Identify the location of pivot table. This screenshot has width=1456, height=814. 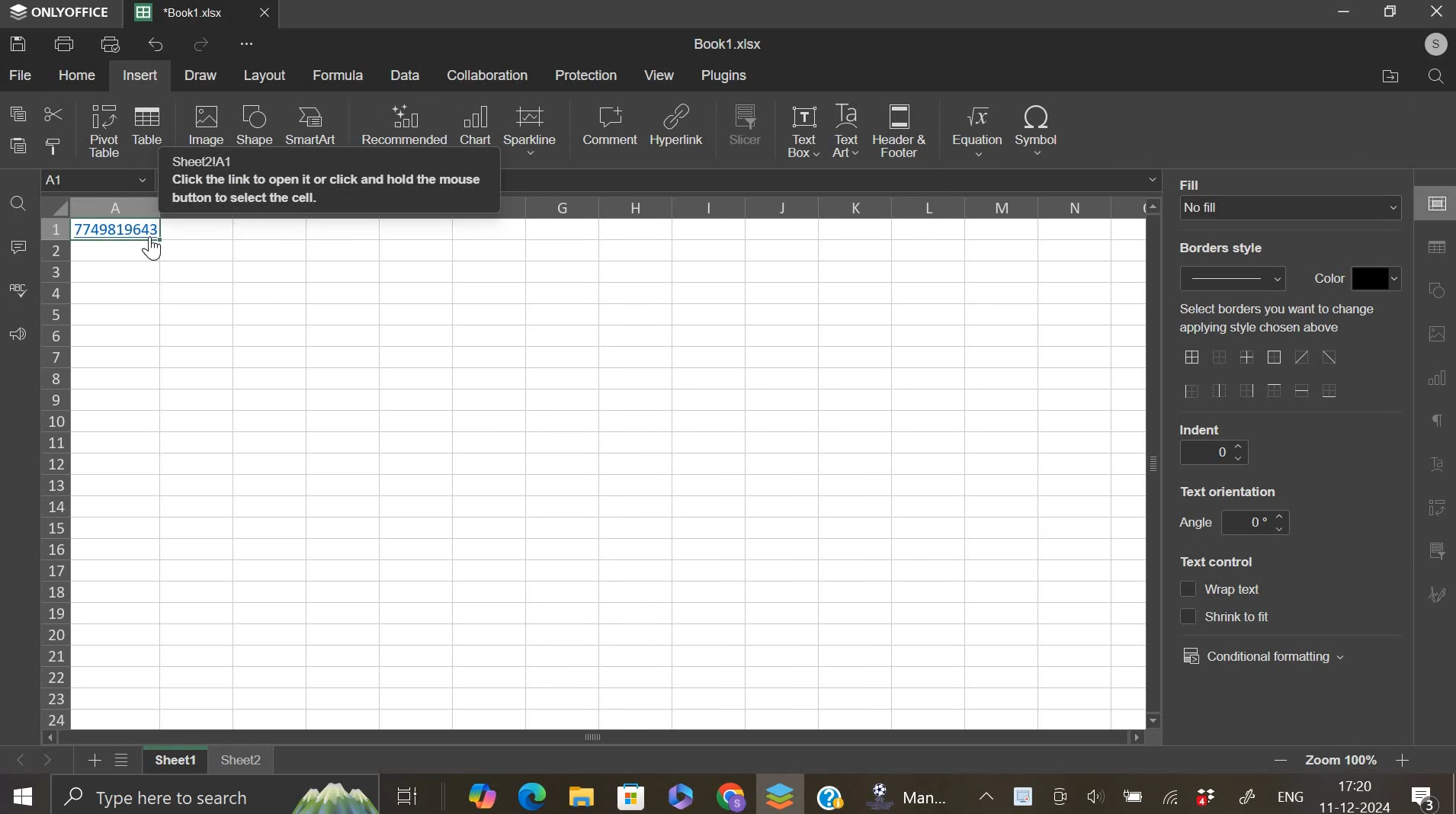
(104, 131).